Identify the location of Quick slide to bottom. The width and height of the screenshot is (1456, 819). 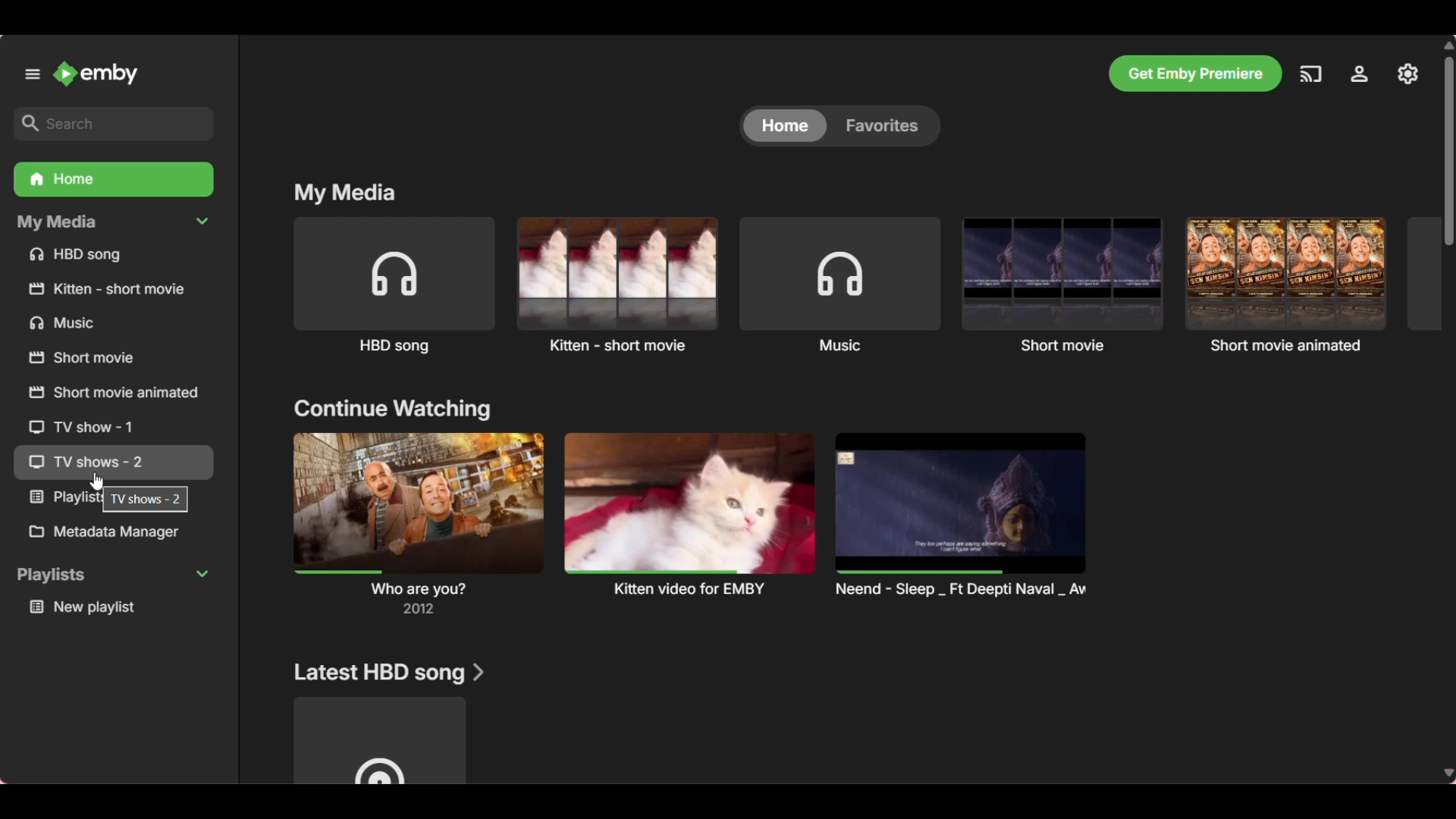
(1448, 773).